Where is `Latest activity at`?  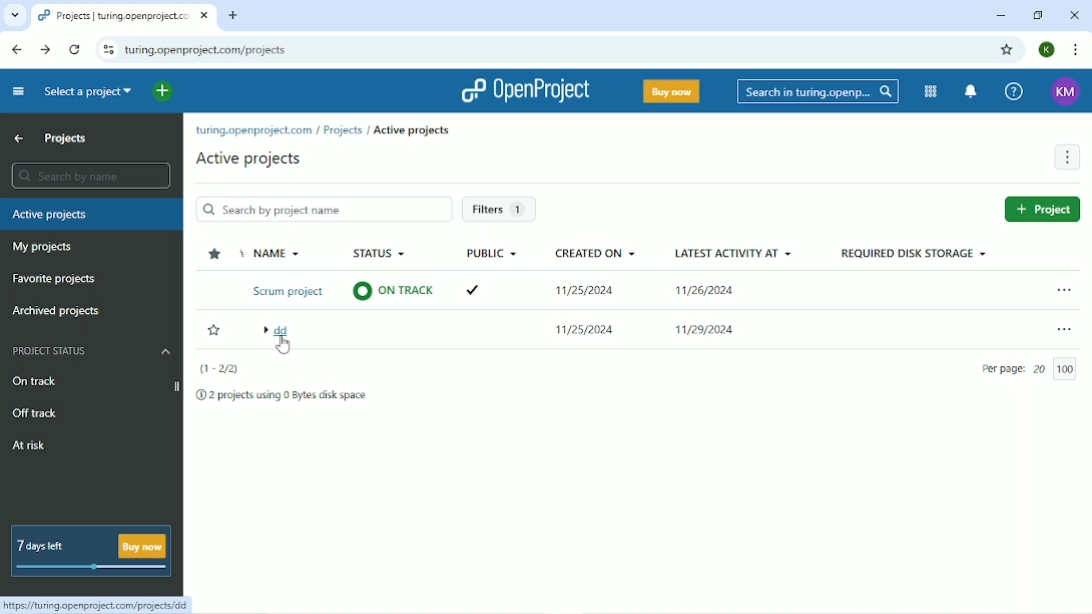
Latest activity at is located at coordinates (730, 251).